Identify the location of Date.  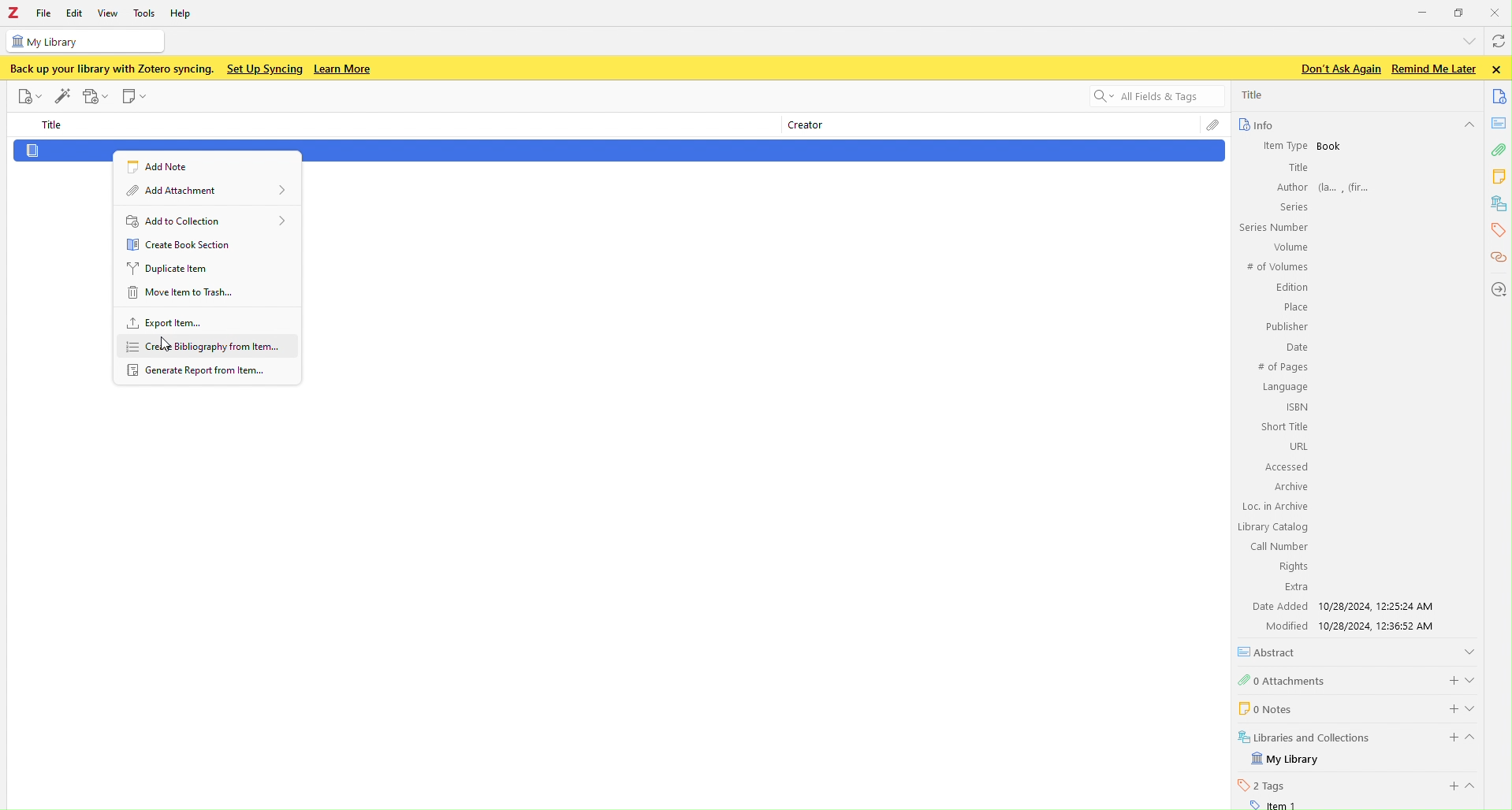
(1295, 348).